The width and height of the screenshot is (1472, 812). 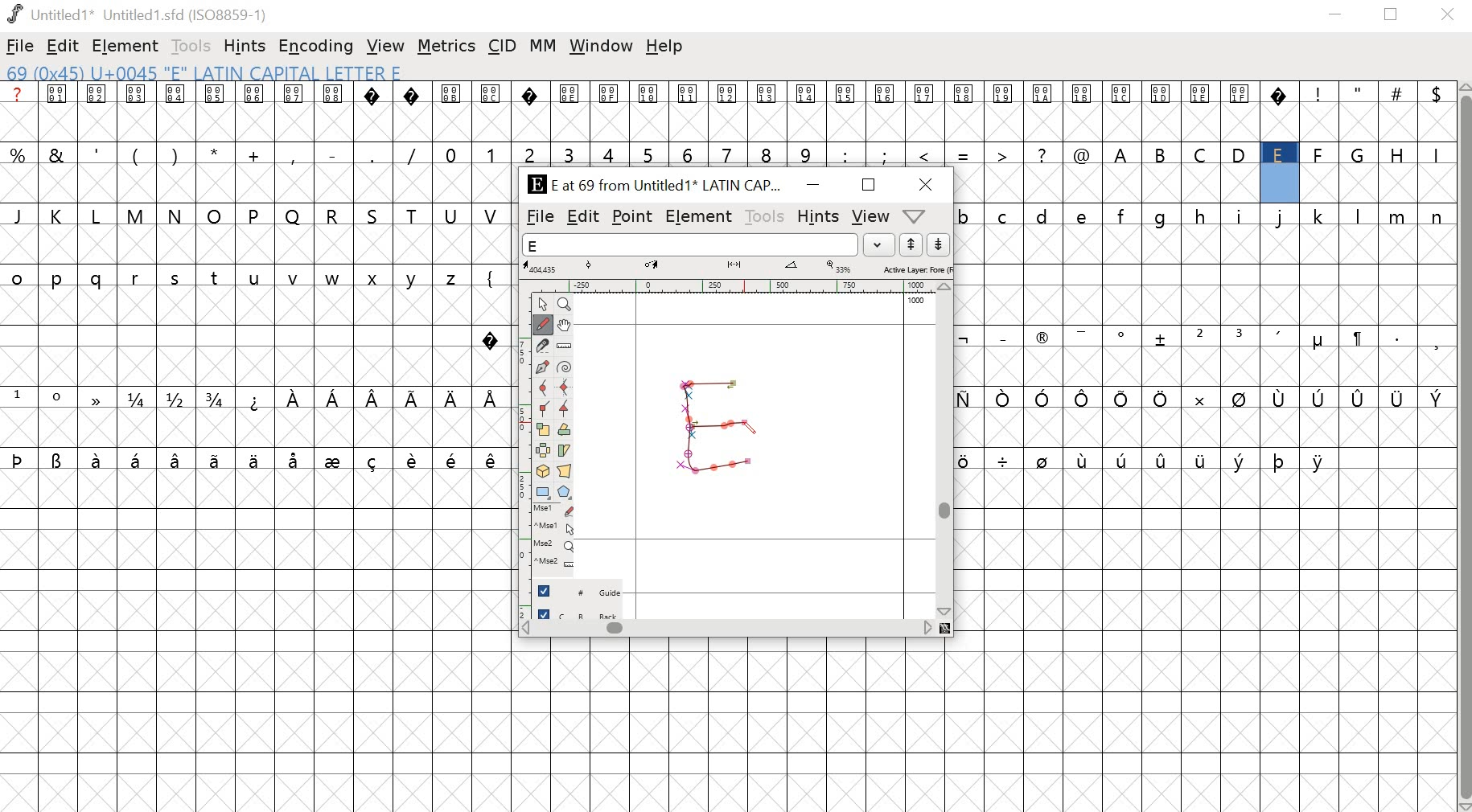 I want to click on E at 69 from Untitled1 LATIN CAPI..., so click(x=651, y=186).